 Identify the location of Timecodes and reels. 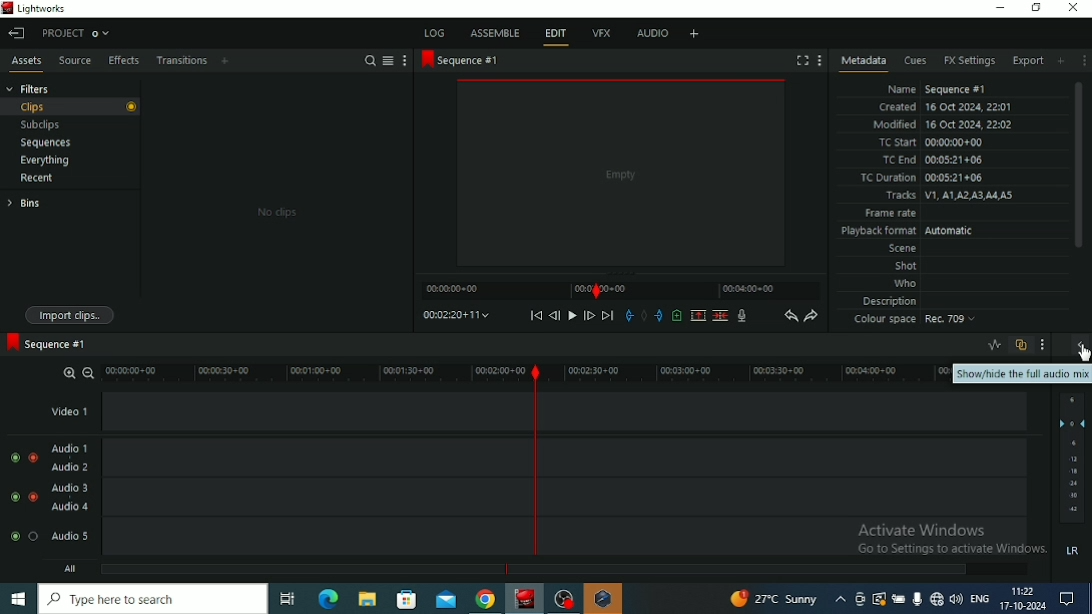
(455, 315).